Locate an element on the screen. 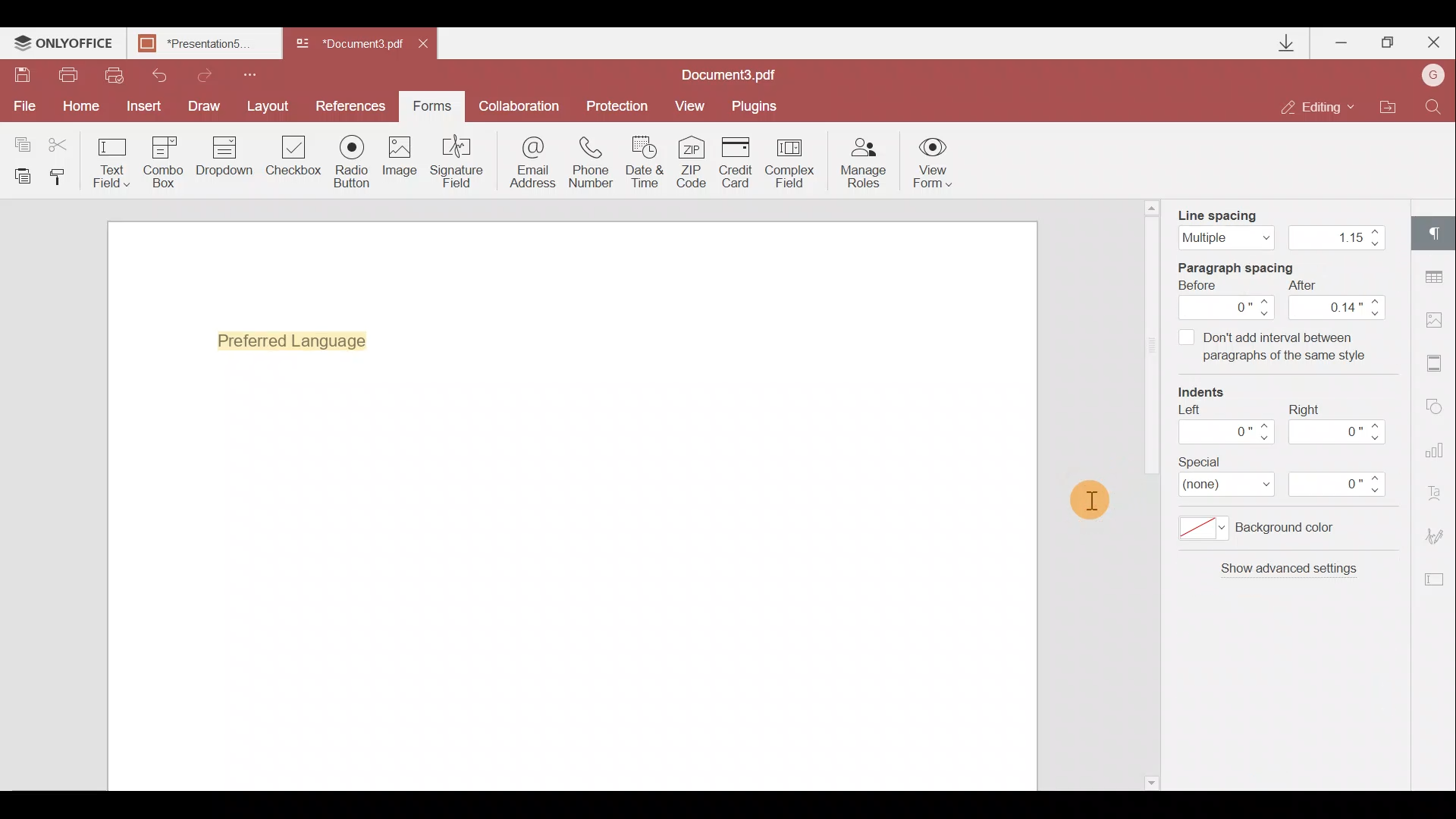 The image size is (1456, 819). Multiple is located at coordinates (1226, 238).